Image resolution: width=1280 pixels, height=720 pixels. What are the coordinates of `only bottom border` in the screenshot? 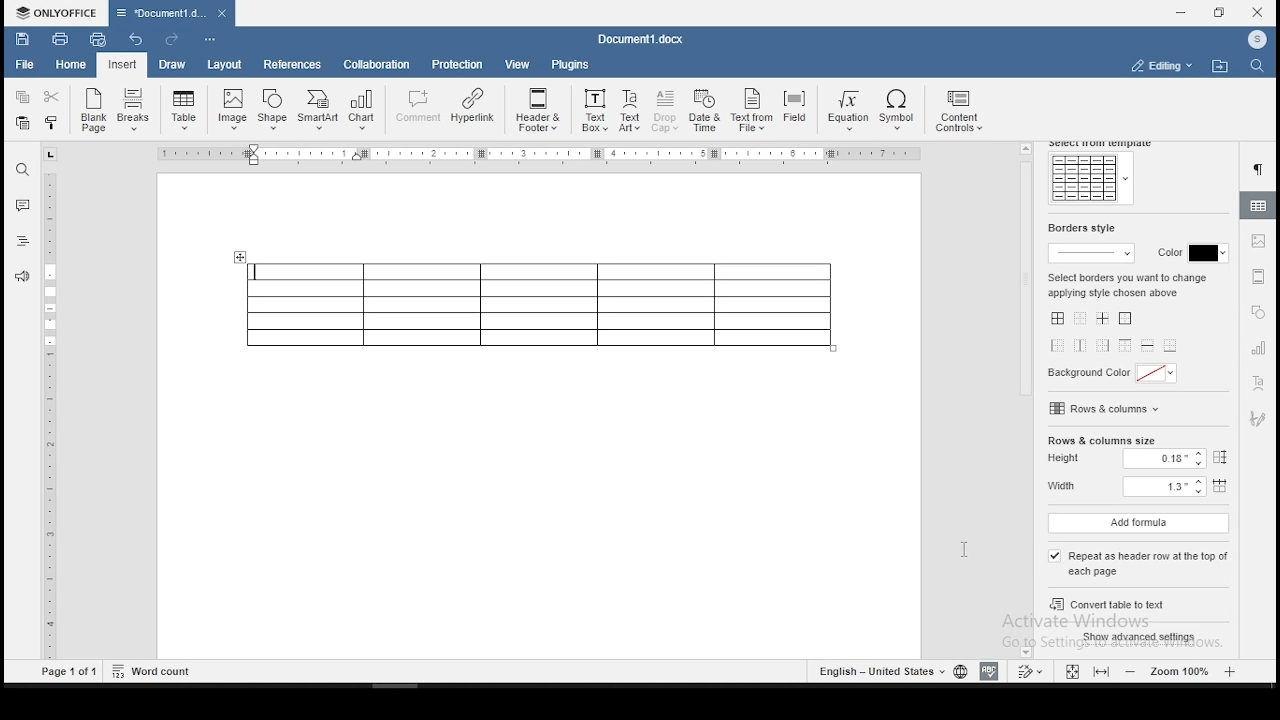 It's located at (1172, 345).